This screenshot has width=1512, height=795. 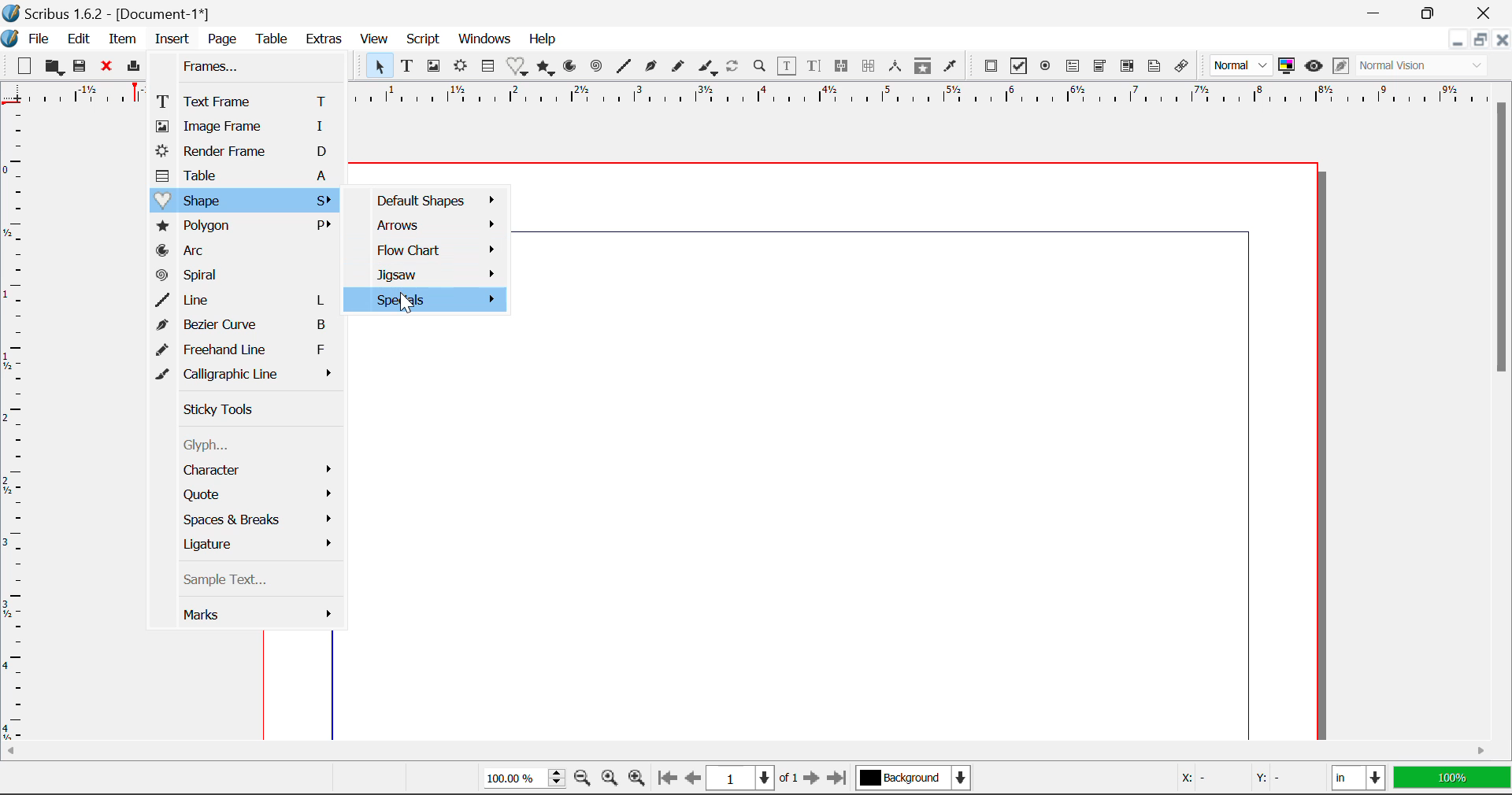 What do you see at coordinates (252, 582) in the screenshot?
I see `Sample Text` at bounding box center [252, 582].